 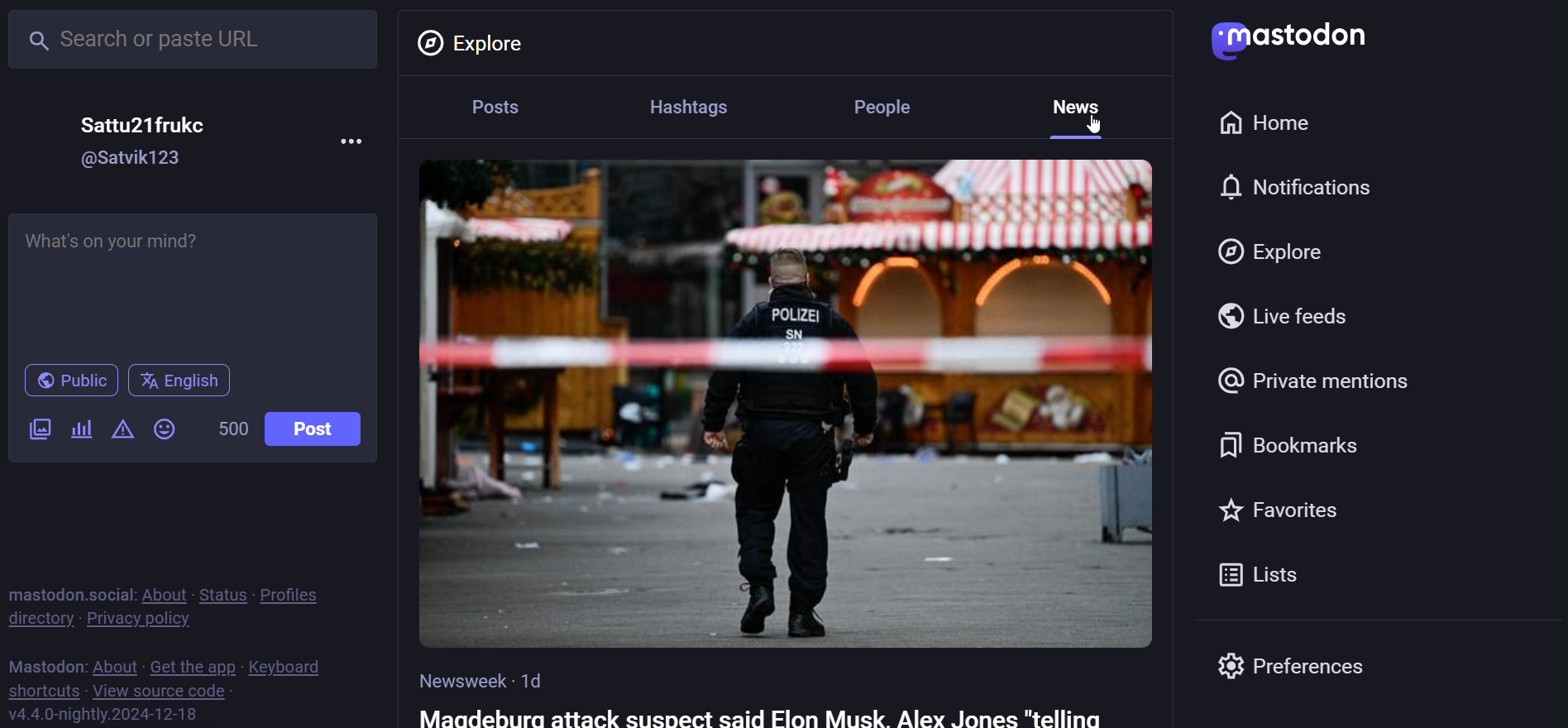 What do you see at coordinates (132, 156) in the screenshot?
I see `@satvik123` at bounding box center [132, 156].